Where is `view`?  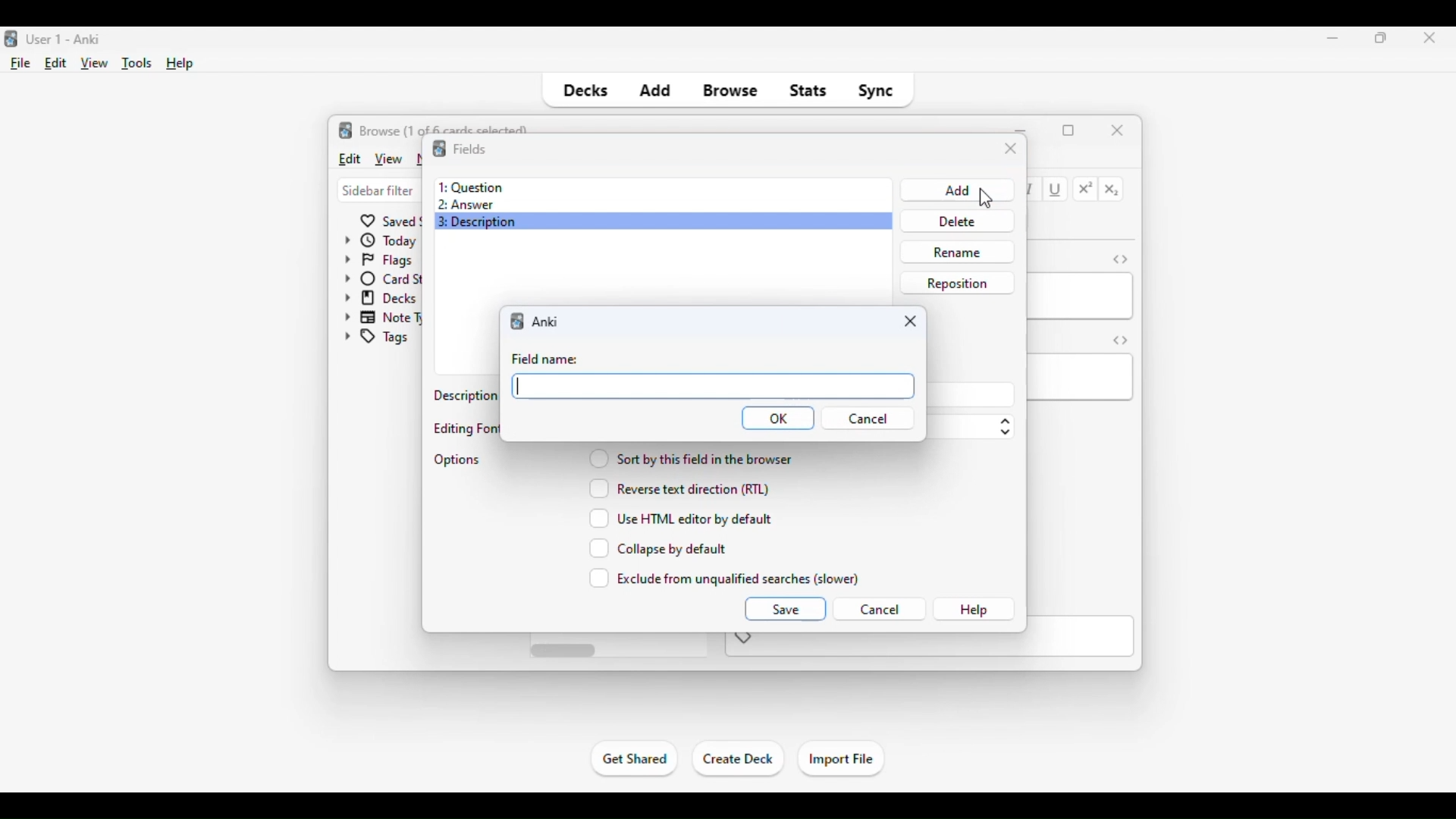
view is located at coordinates (388, 158).